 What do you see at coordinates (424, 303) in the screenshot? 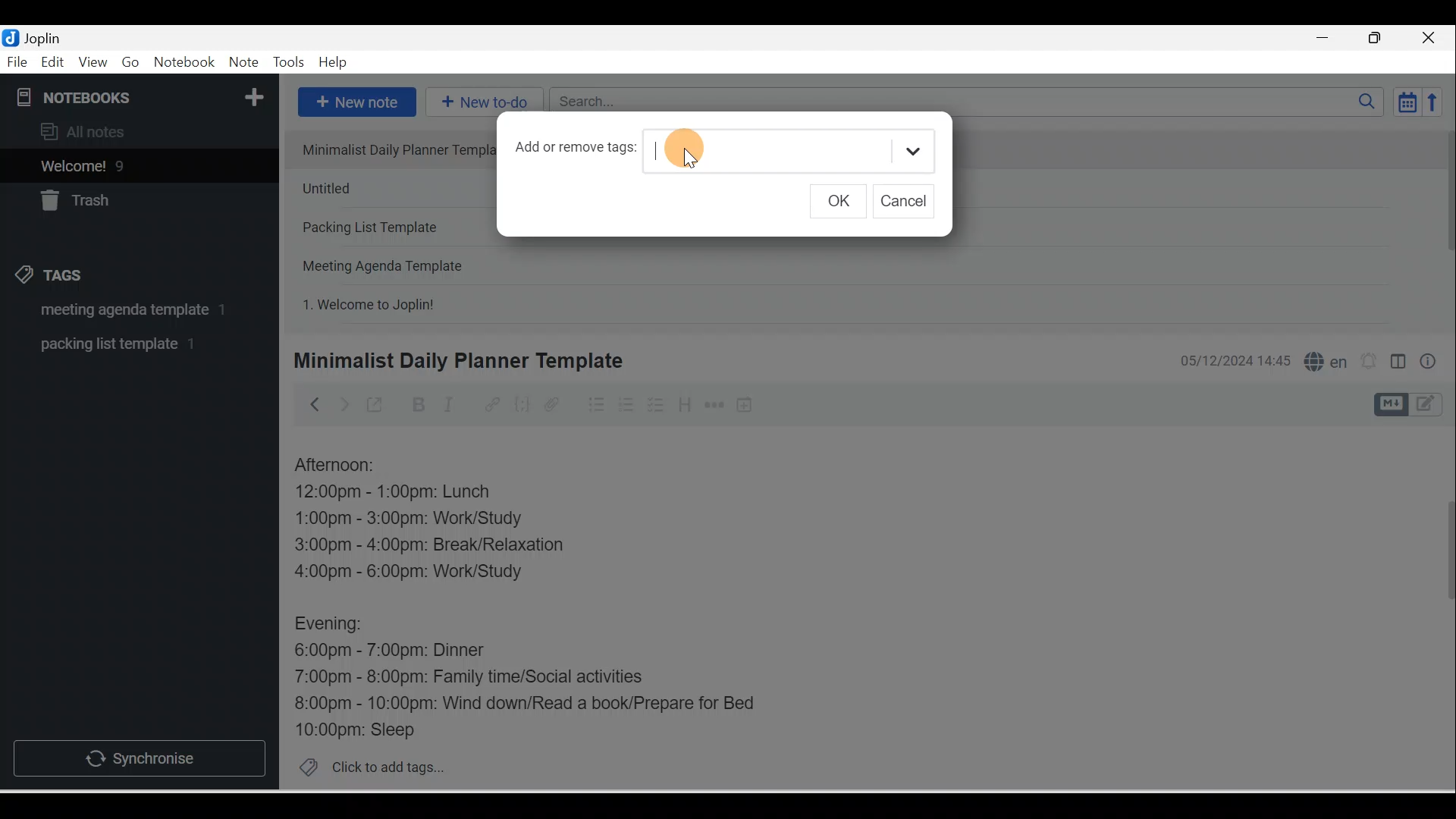
I see `Note 5` at bounding box center [424, 303].